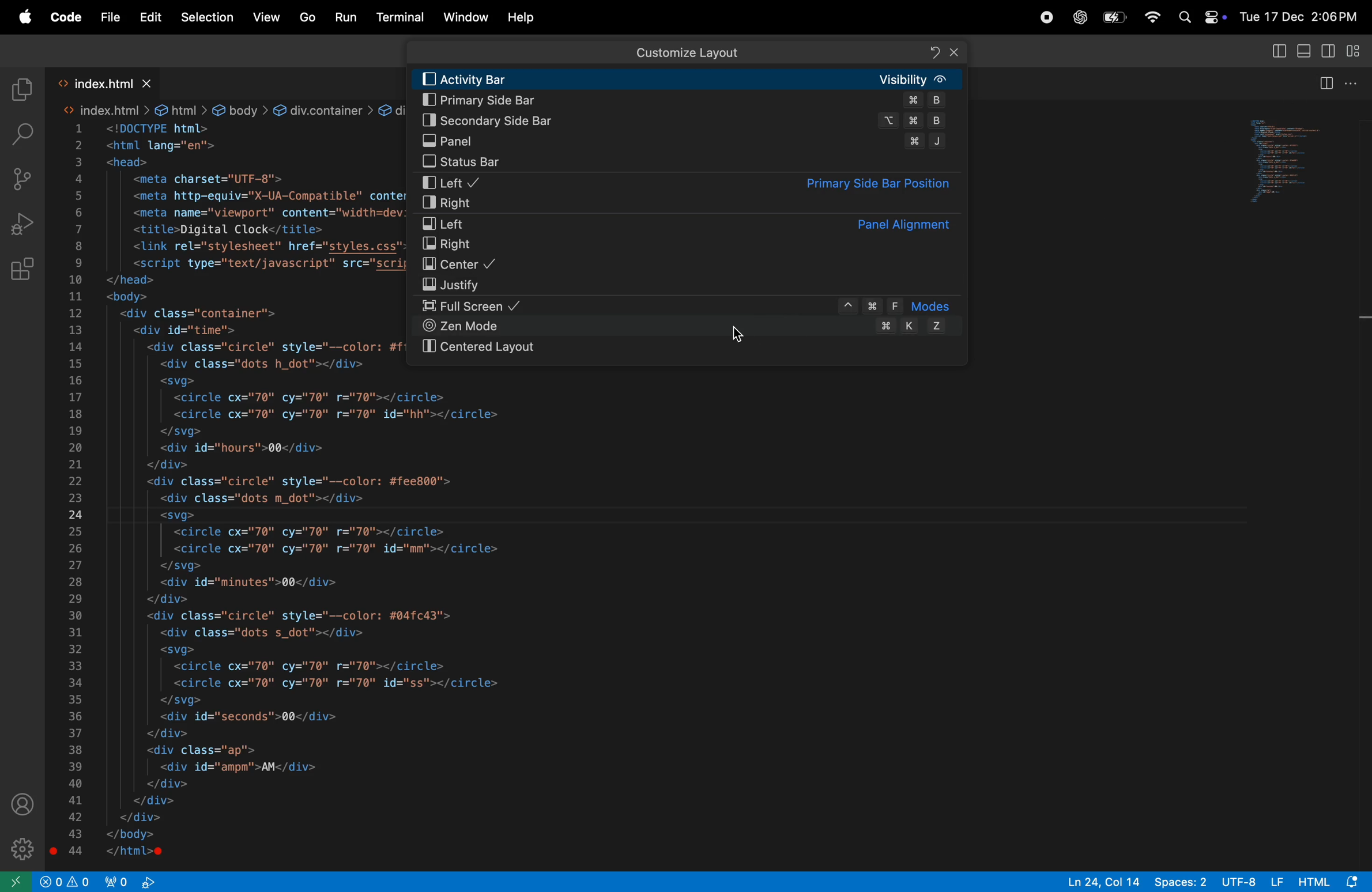 This screenshot has height=892, width=1372. I want to click on explore, so click(22, 90).